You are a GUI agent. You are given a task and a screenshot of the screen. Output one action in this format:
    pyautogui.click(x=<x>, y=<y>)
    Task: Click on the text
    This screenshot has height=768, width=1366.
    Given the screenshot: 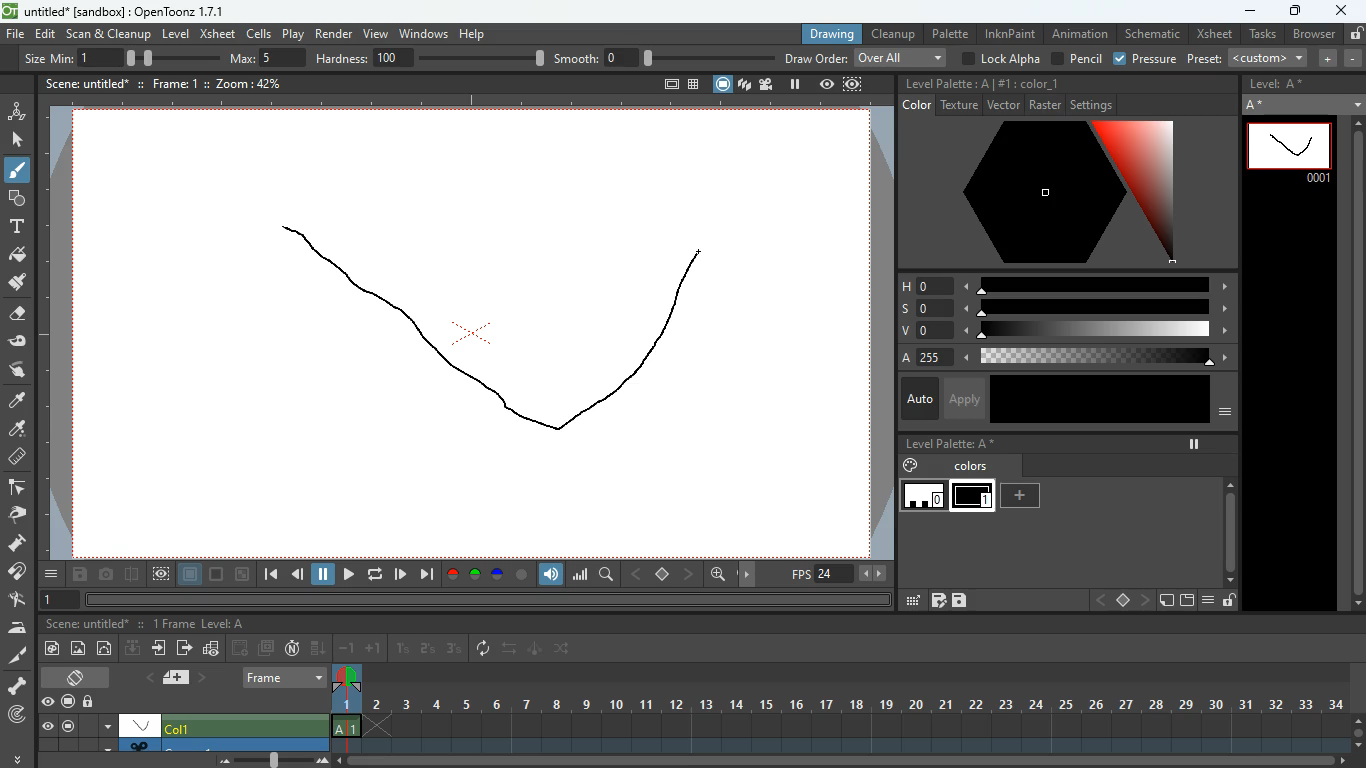 What is the action you would take?
    pyautogui.click(x=15, y=226)
    